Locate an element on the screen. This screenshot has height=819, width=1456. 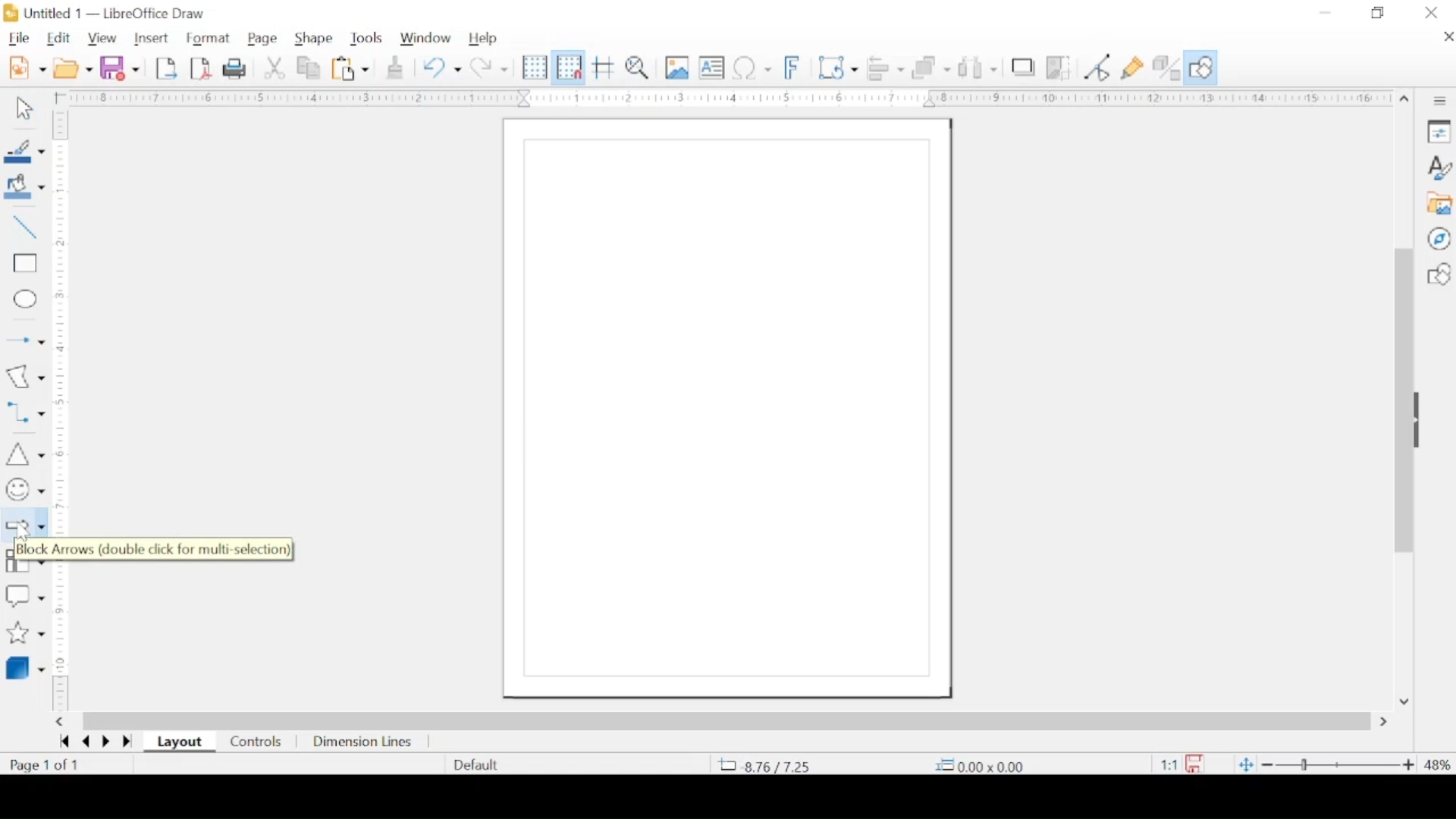
format is located at coordinates (209, 39).